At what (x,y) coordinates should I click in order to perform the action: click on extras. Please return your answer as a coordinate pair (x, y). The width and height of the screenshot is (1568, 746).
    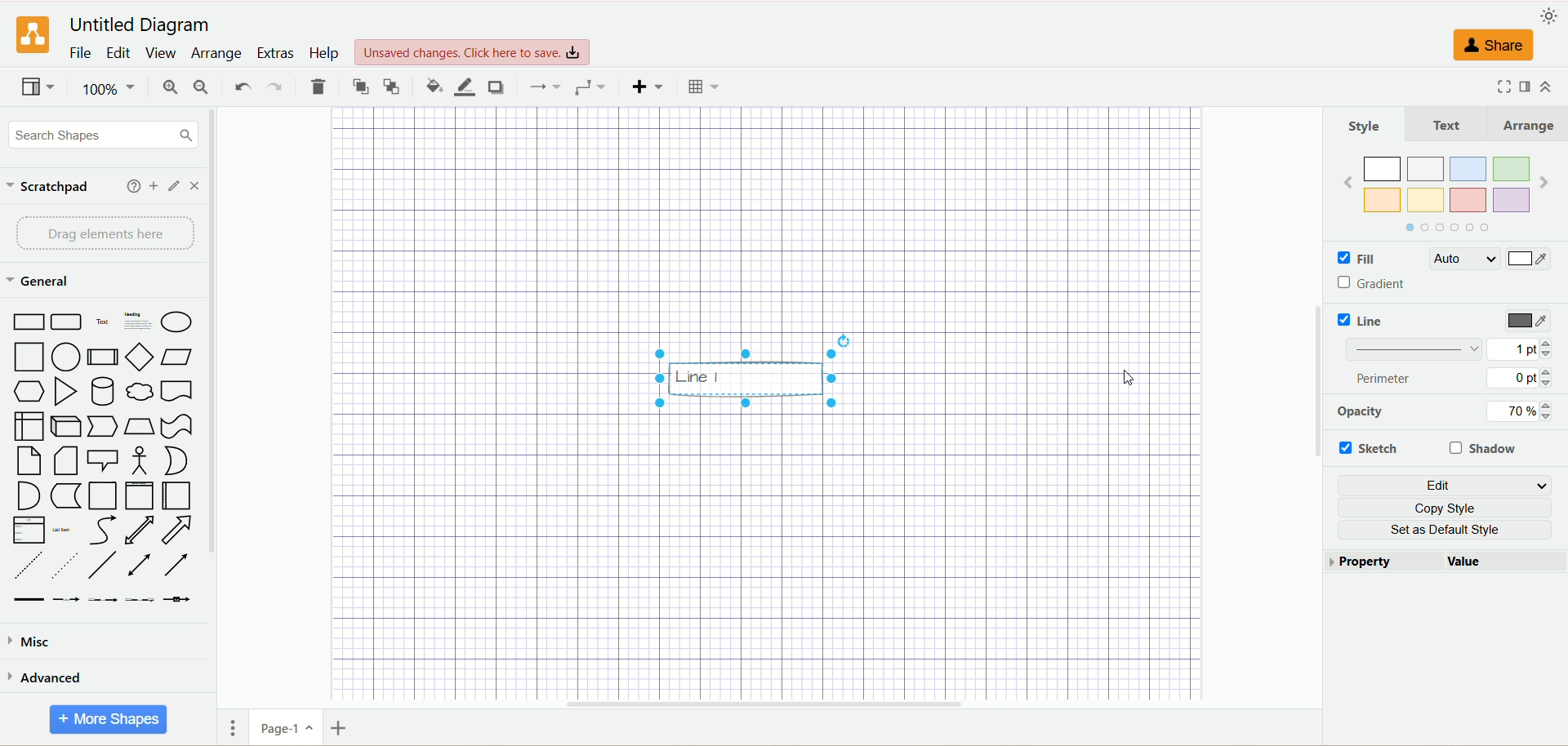
    Looking at the image, I should click on (275, 52).